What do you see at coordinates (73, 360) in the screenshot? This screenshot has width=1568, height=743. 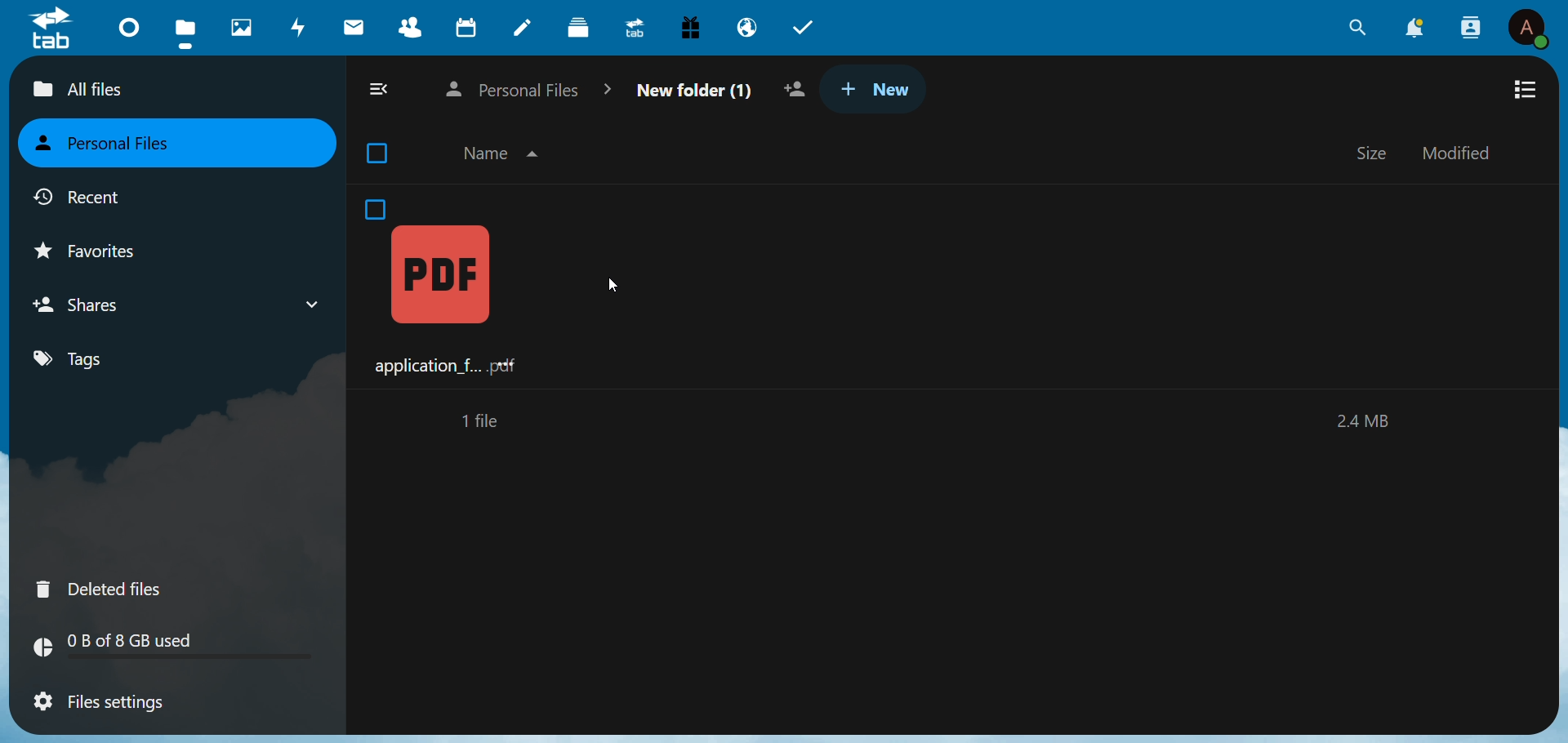 I see `tags` at bounding box center [73, 360].